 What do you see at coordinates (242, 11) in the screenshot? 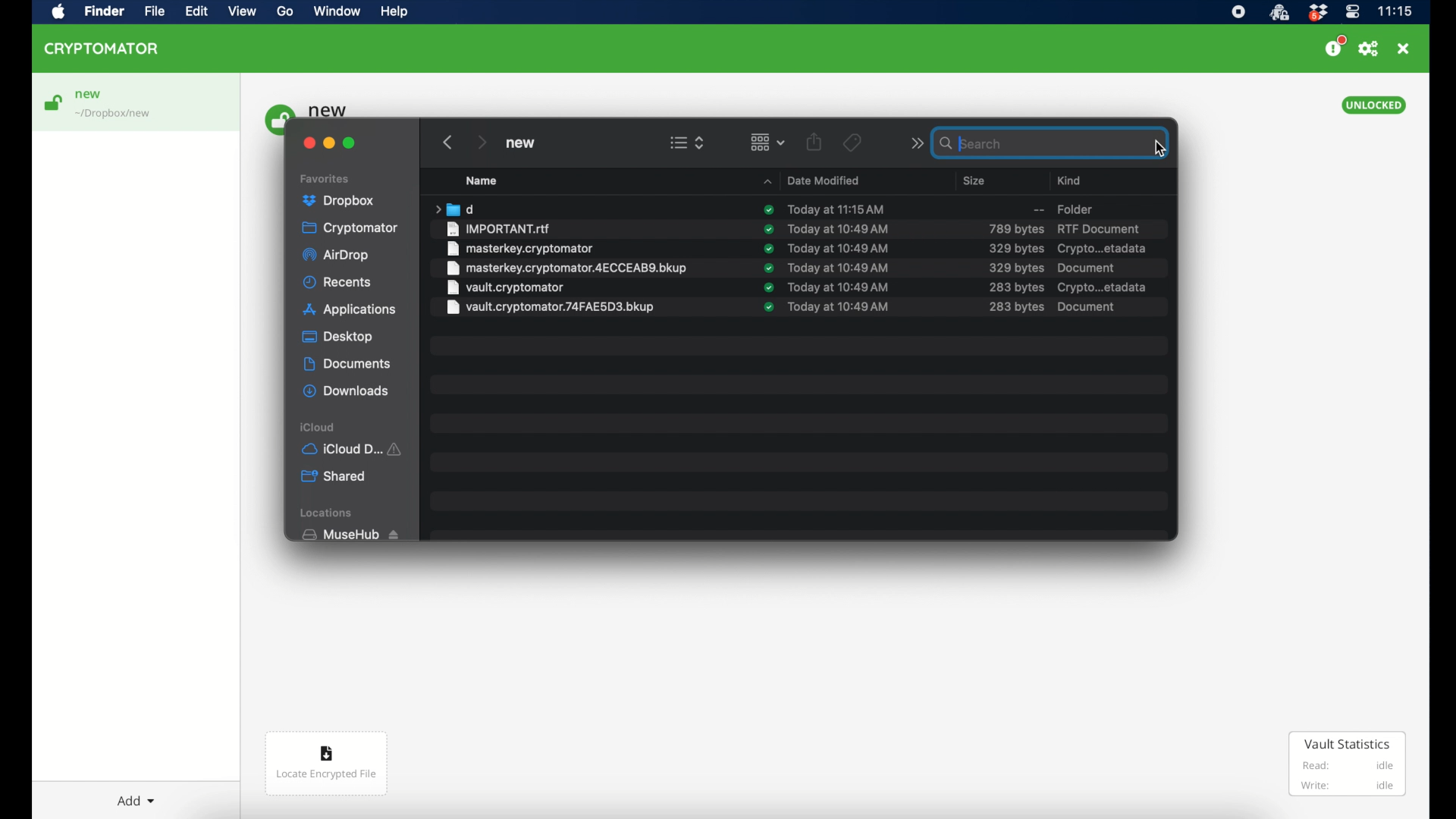
I see `view` at bounding box center [242, 11].